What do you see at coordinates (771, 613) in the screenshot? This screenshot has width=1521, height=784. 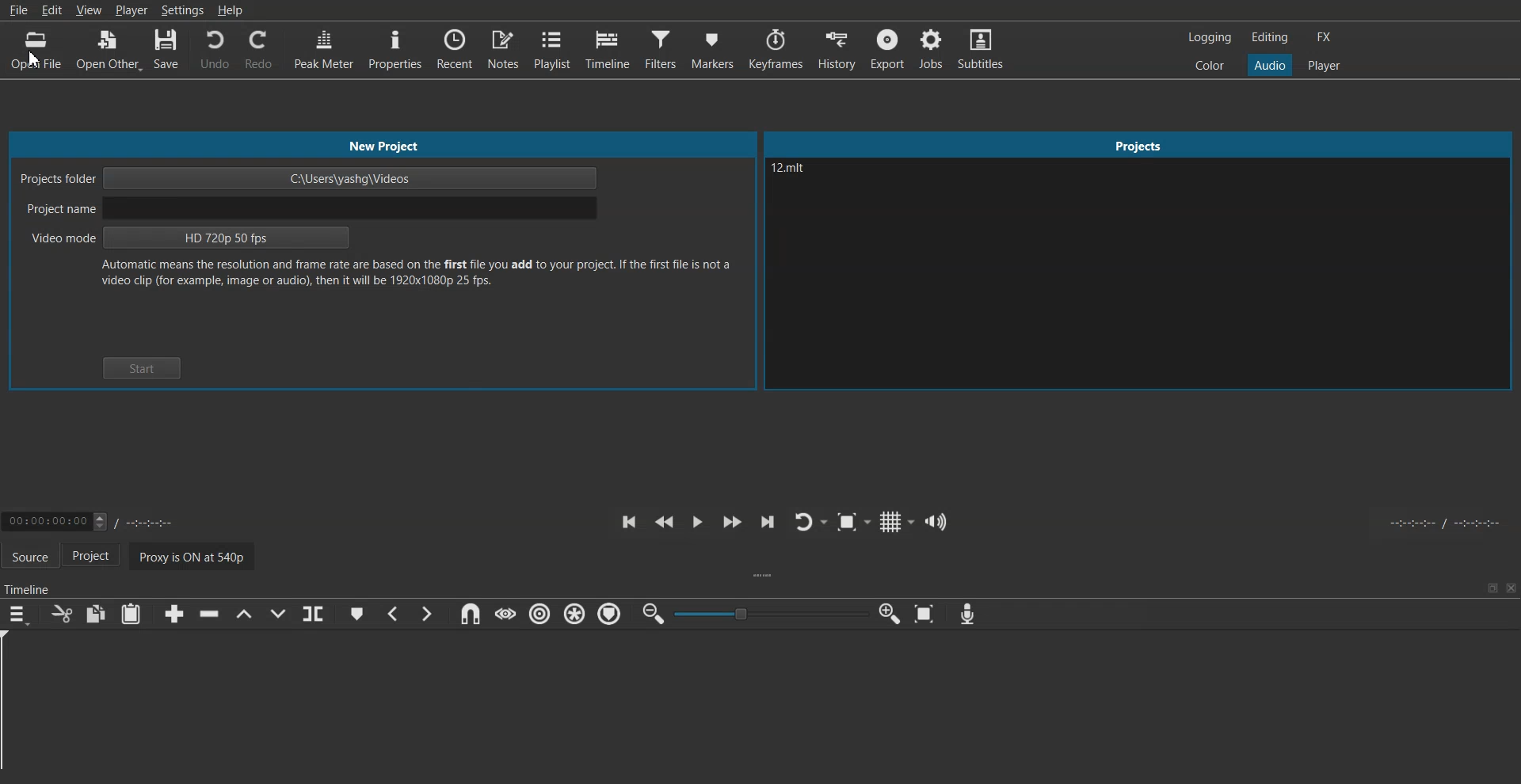 I see `Toggle adjuster` at bounding box center [771, 613].